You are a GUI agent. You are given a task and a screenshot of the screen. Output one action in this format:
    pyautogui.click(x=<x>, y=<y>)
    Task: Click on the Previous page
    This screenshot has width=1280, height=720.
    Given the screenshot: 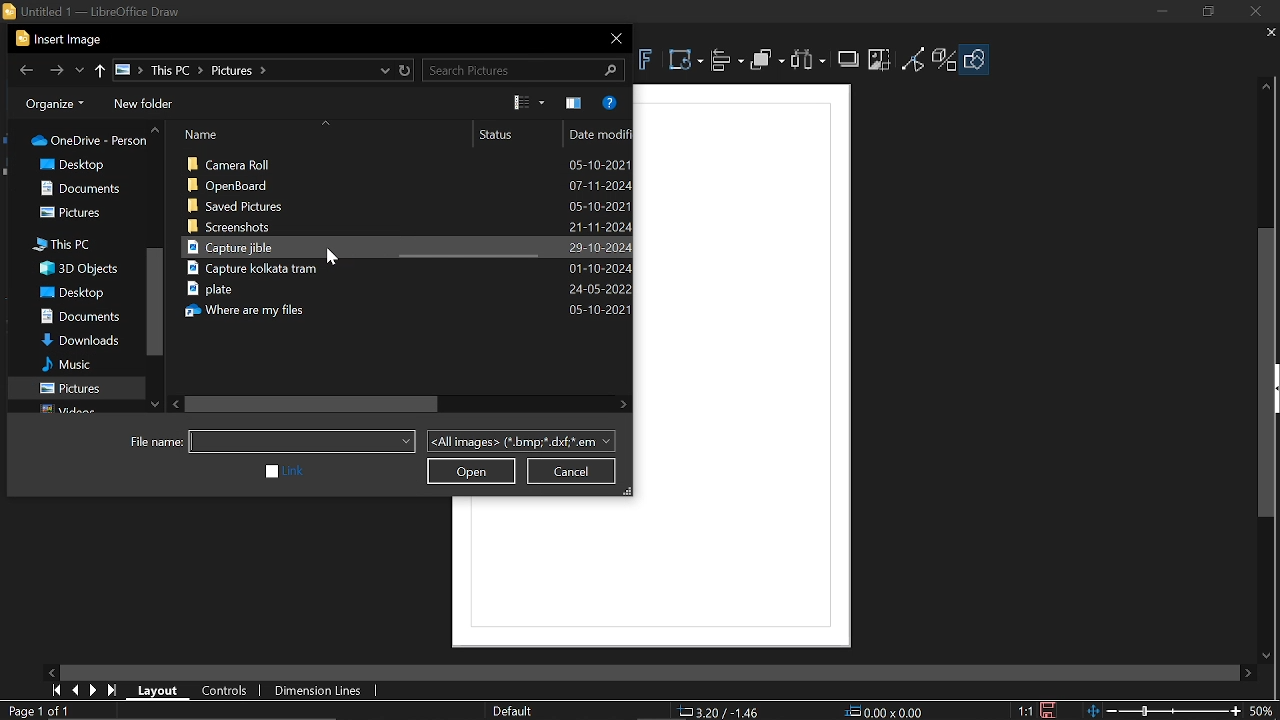 What is the action you would take?
    pyautogui.click(x=73, y=691)
    